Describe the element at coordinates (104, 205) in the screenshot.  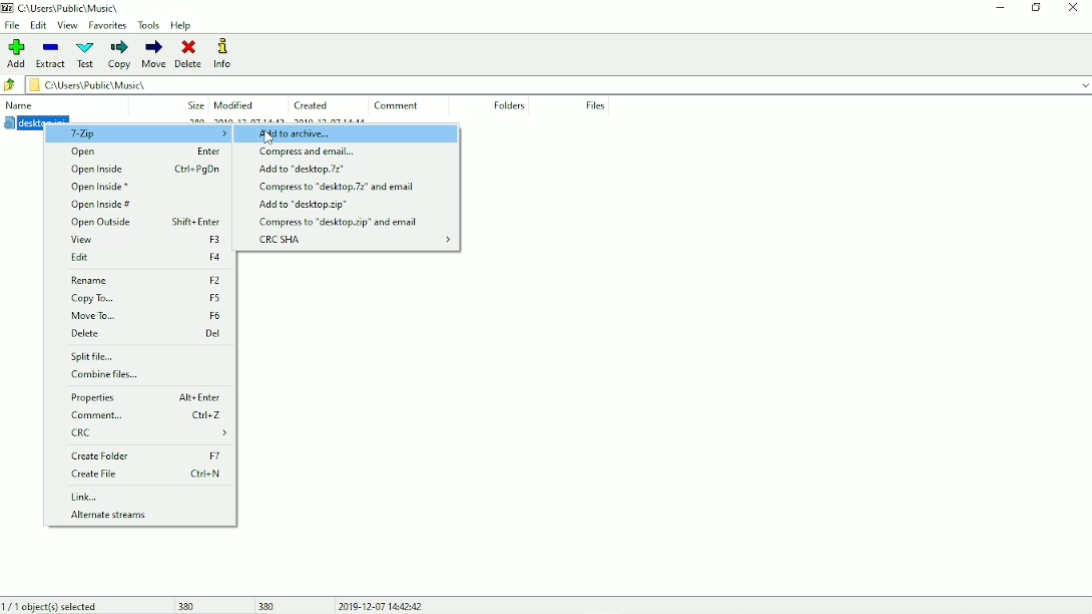
I see `Open Inside #` at that location.